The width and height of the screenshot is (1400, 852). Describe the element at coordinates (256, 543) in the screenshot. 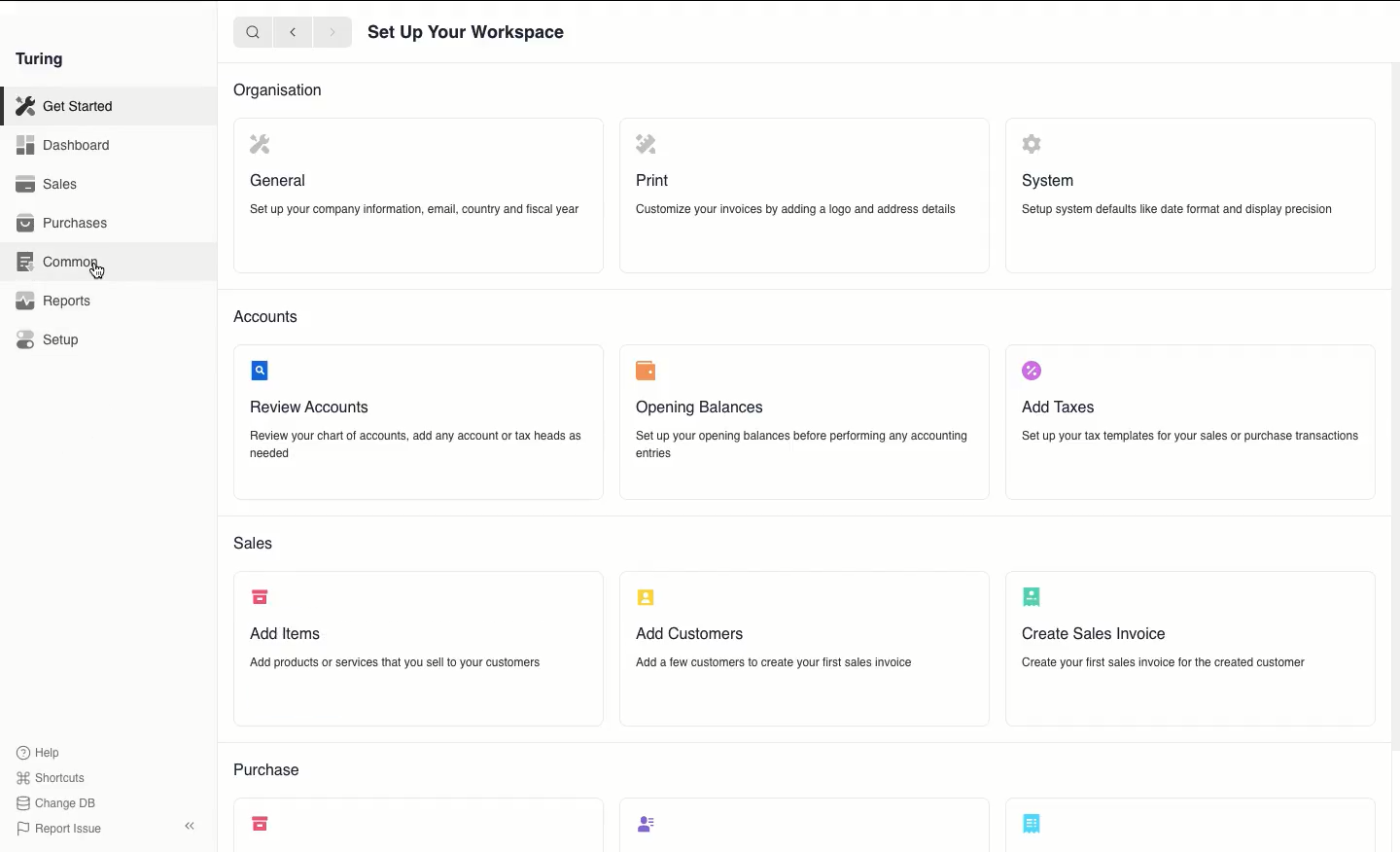

I see `Sales` at that location.